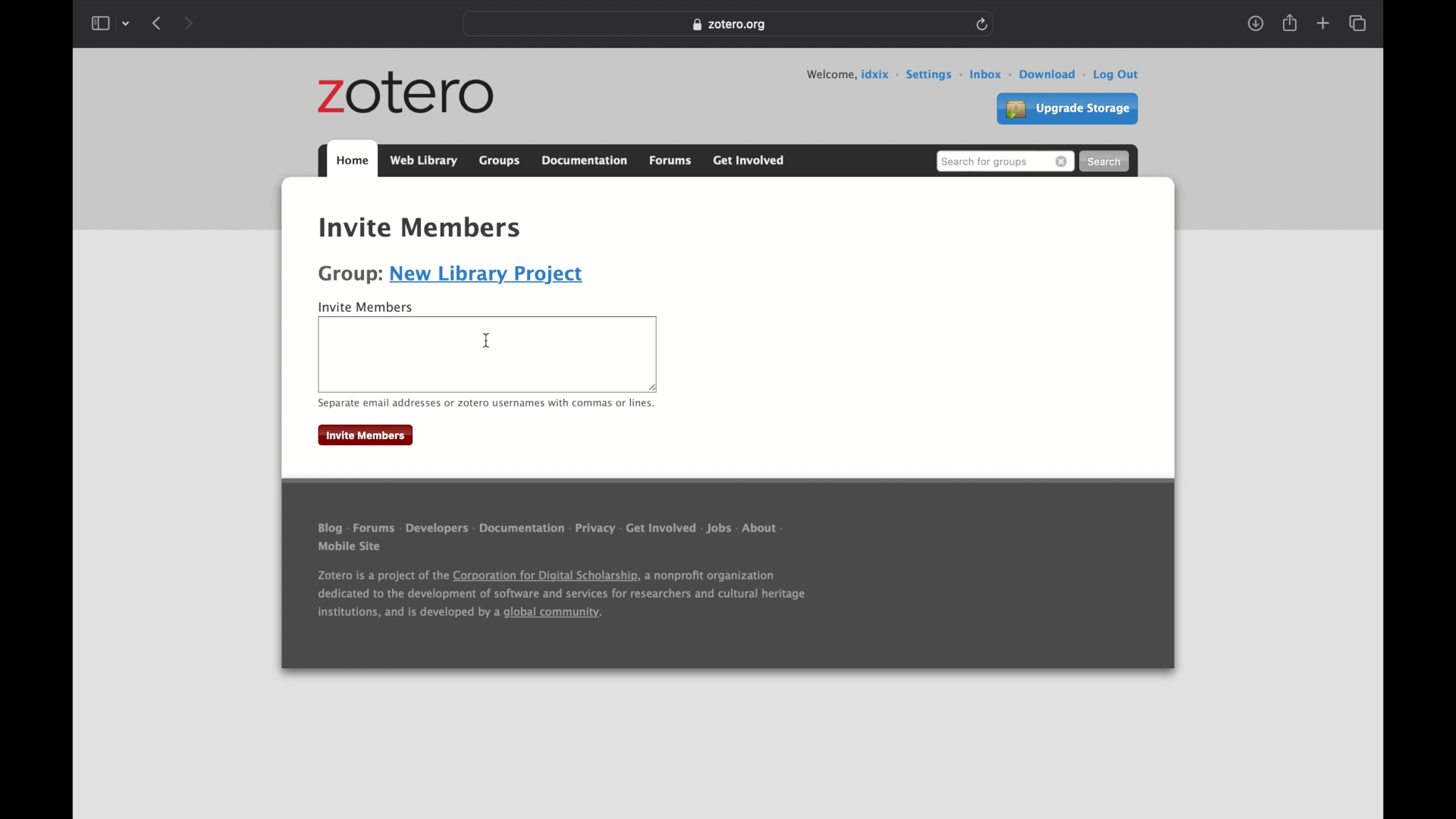 This screenshot has height=819, width=1456. Describe the element at coordinates (586, 161) in the screenshot. I see `documentation` at that location.